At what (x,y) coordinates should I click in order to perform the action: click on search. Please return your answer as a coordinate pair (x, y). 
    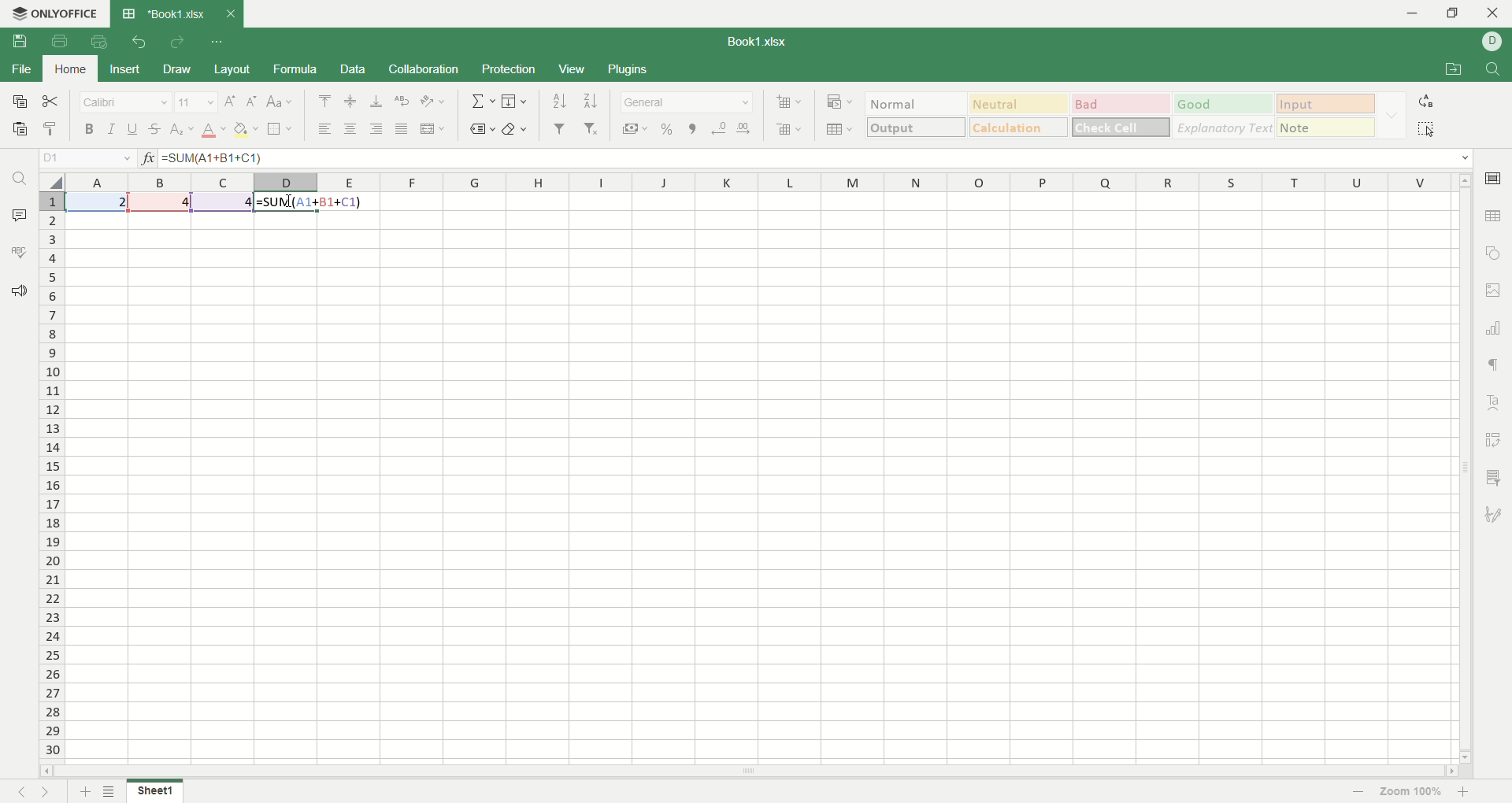
    Looking at the image, I should click on (16, 181).